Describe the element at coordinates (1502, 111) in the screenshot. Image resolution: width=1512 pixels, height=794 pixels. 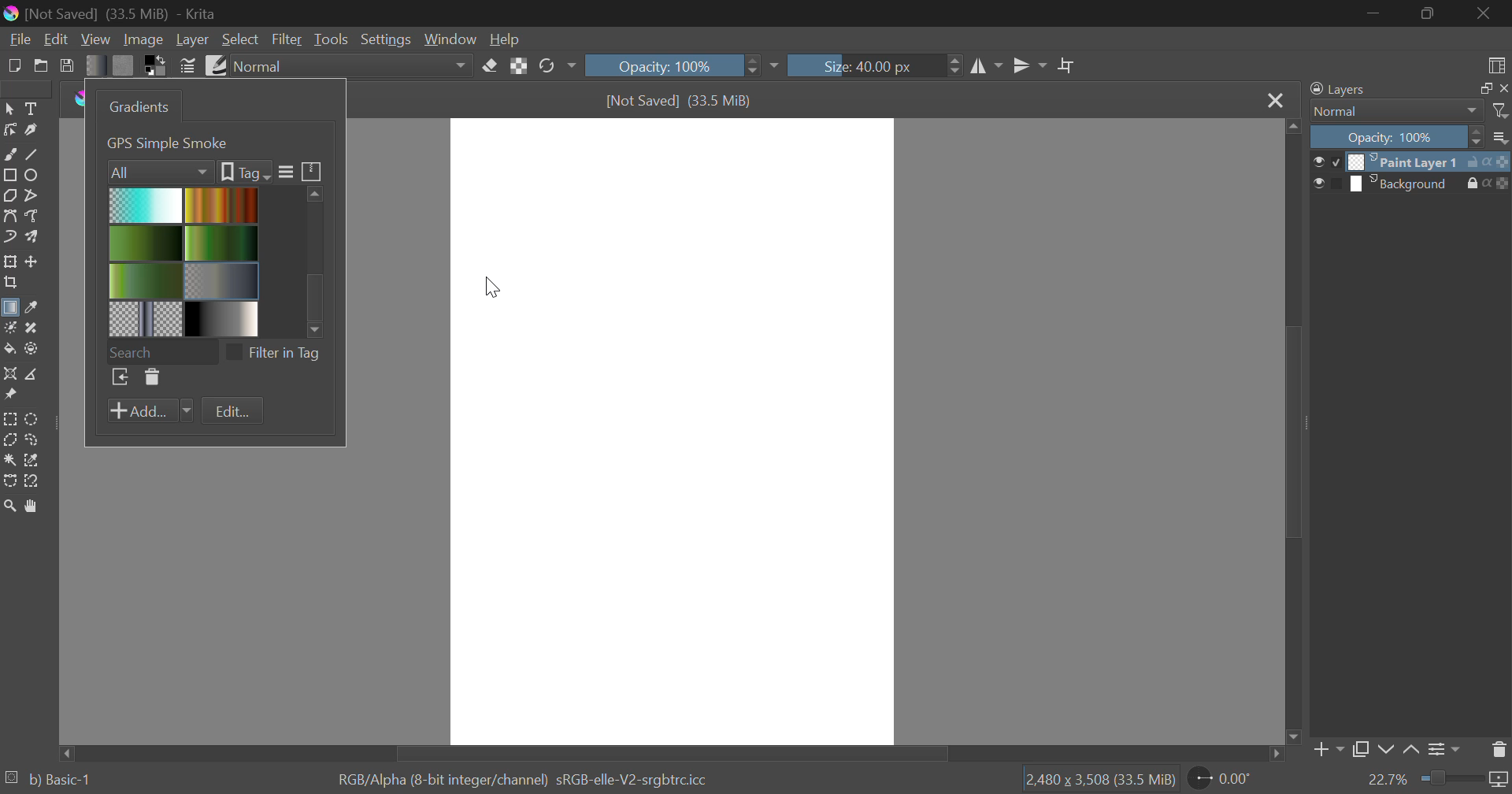
I see `filter` at that location.